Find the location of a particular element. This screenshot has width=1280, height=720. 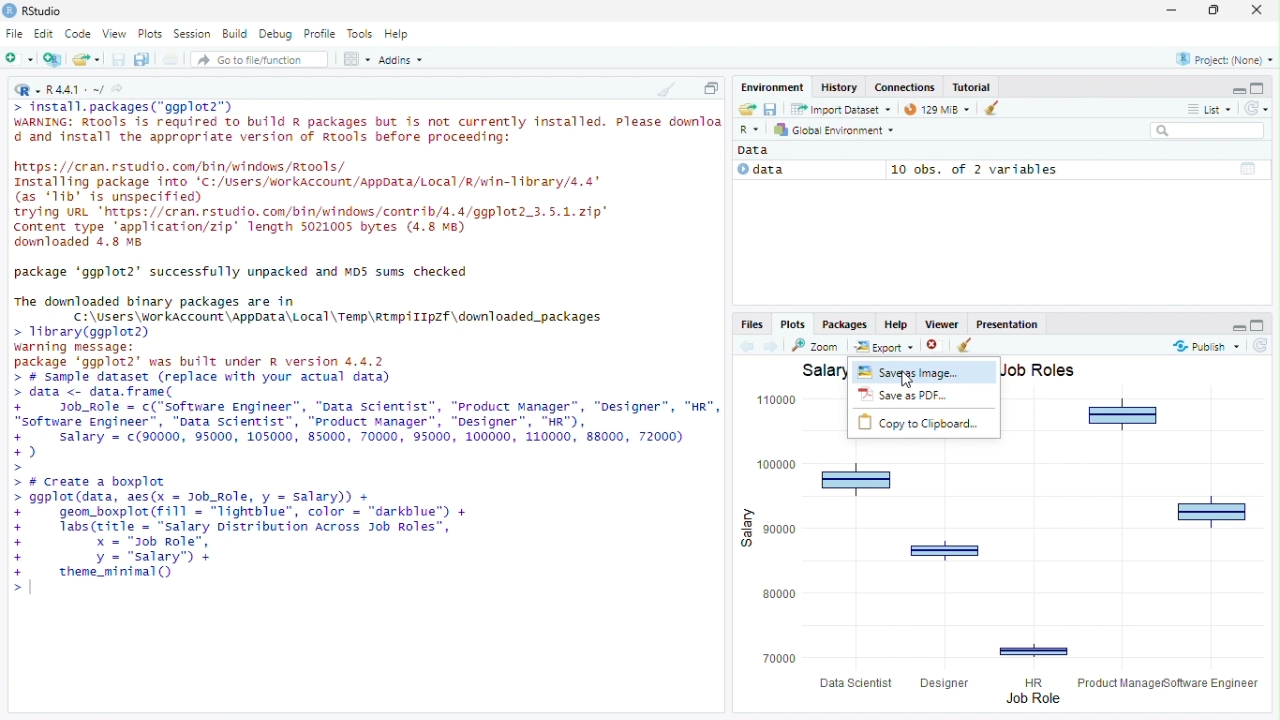

Export is located at coordinates (885, 346).